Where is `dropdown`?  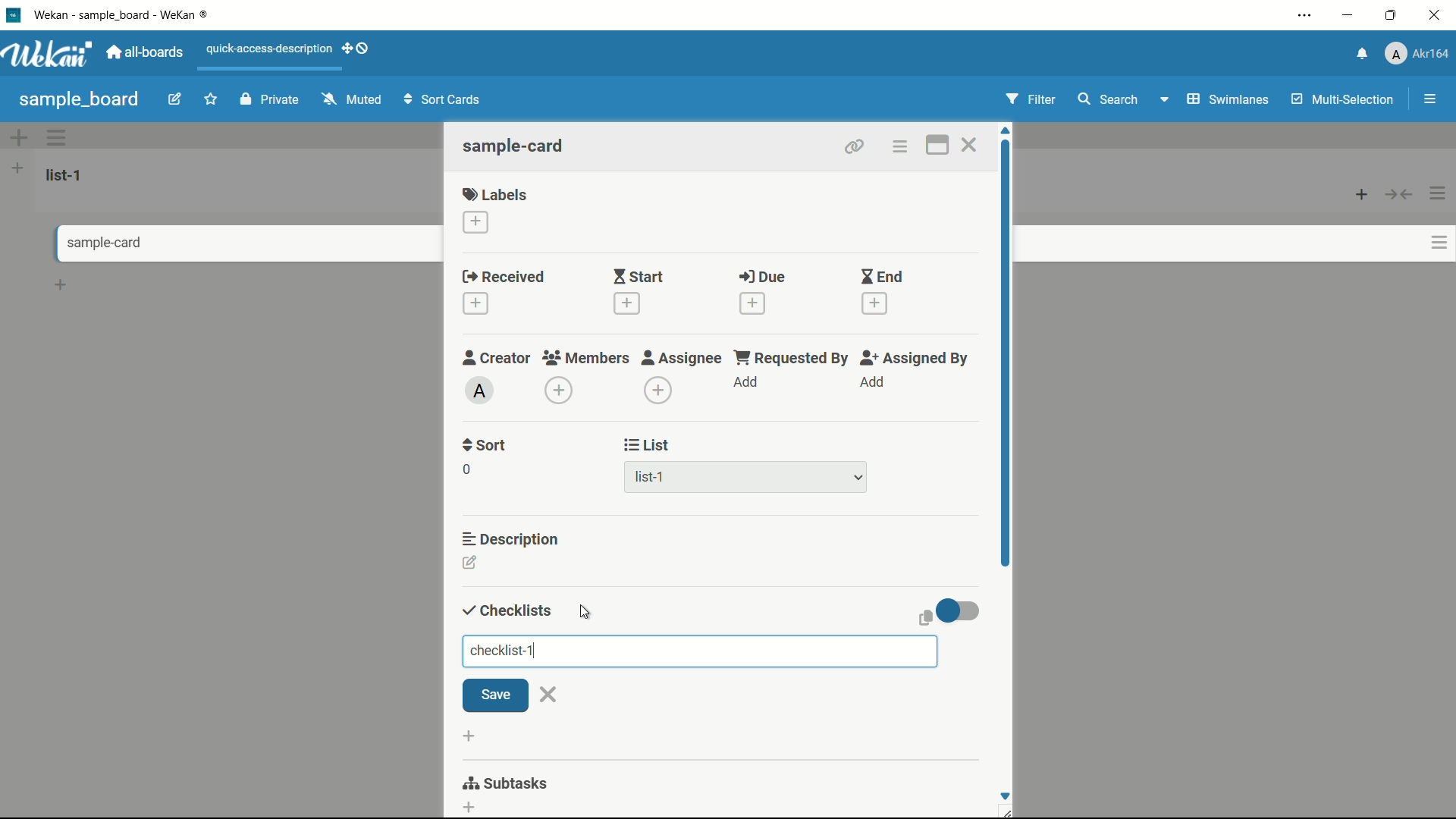
dropdown is located at coordinates (858, 479).